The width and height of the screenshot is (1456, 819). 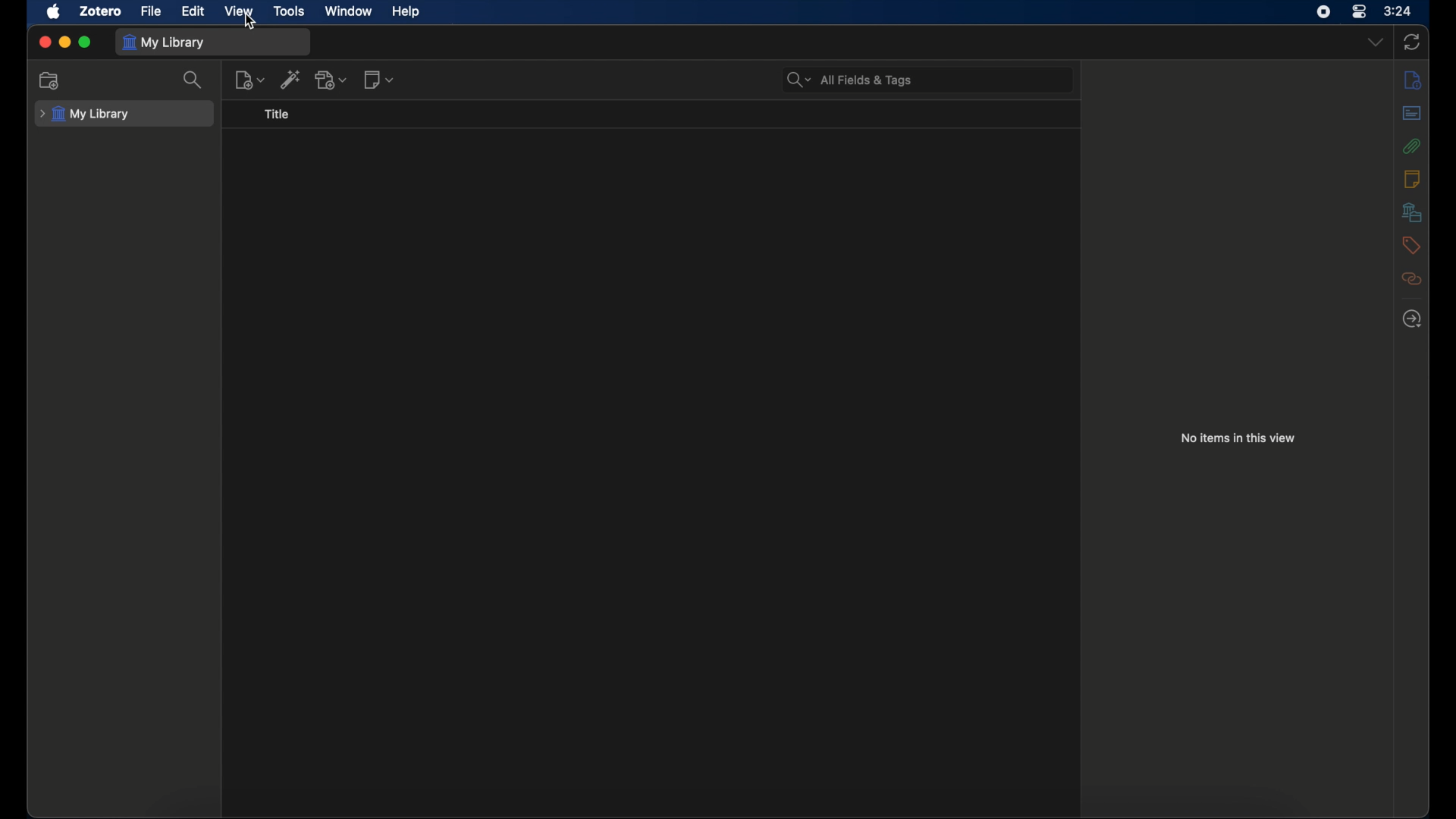 What do you see at coordinates (1376, 42) in the screenshot?
I see `dropdown` at bounding box center [1376, 42].